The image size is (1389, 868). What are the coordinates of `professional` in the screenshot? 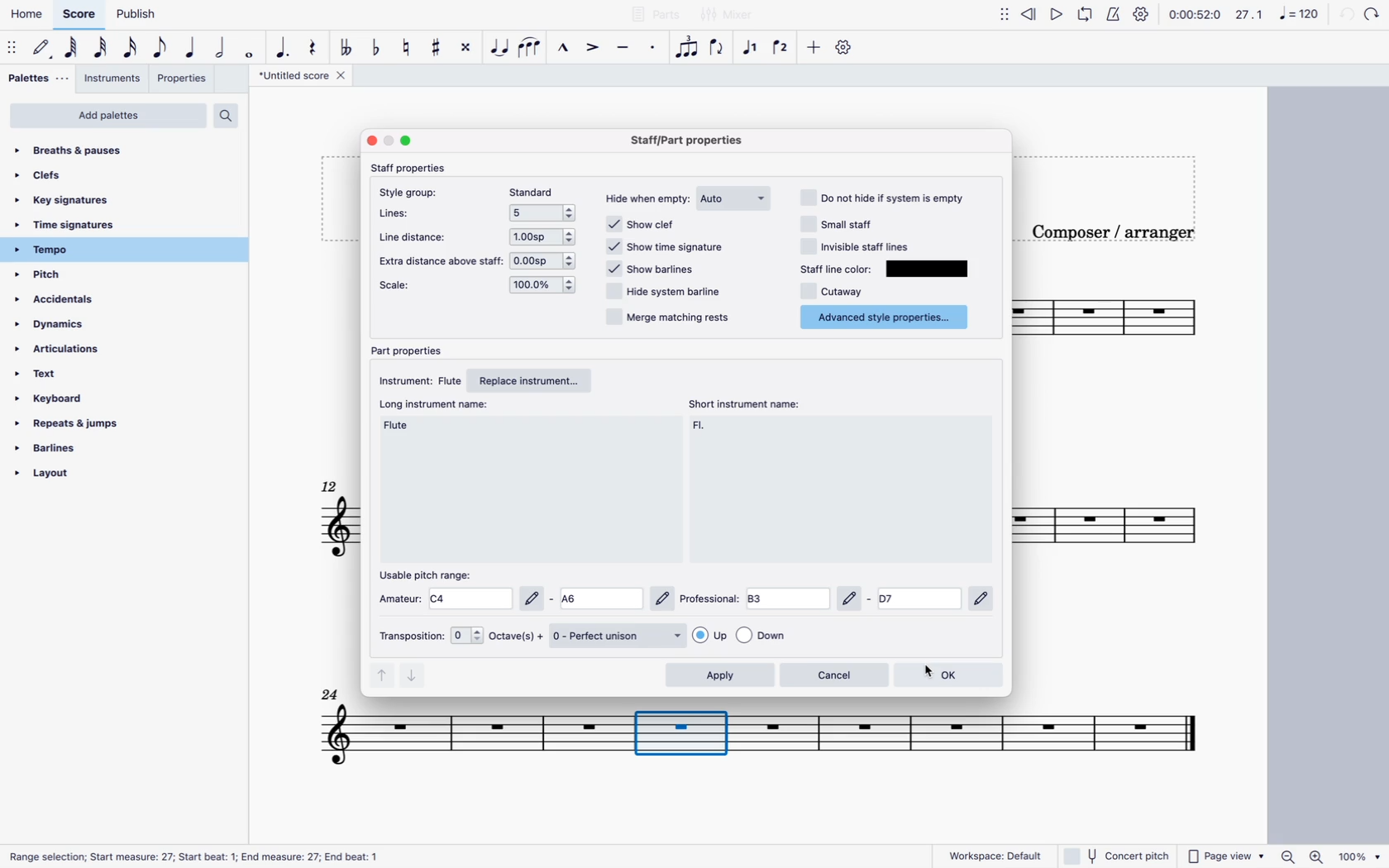 It's located at (708, 598).